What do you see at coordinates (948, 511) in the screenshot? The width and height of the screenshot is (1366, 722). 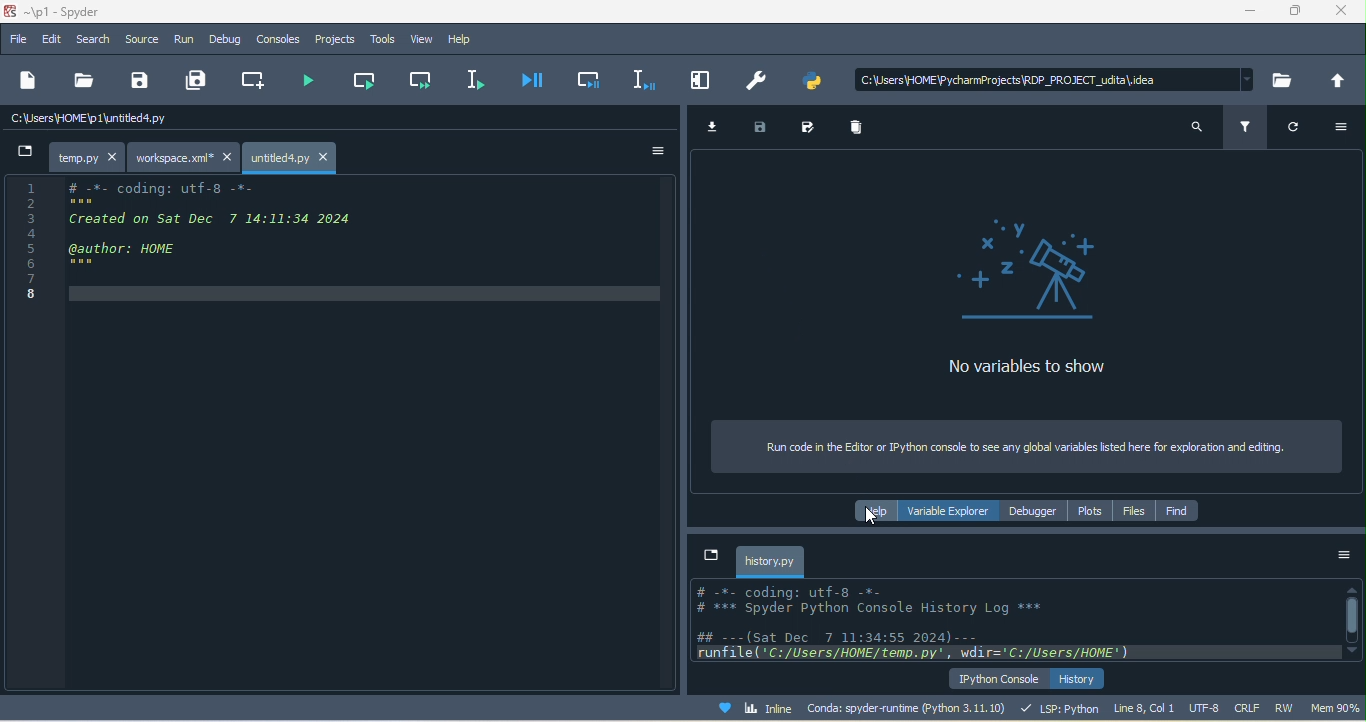 I see `variable explorer` at bounding box center [948, 511].